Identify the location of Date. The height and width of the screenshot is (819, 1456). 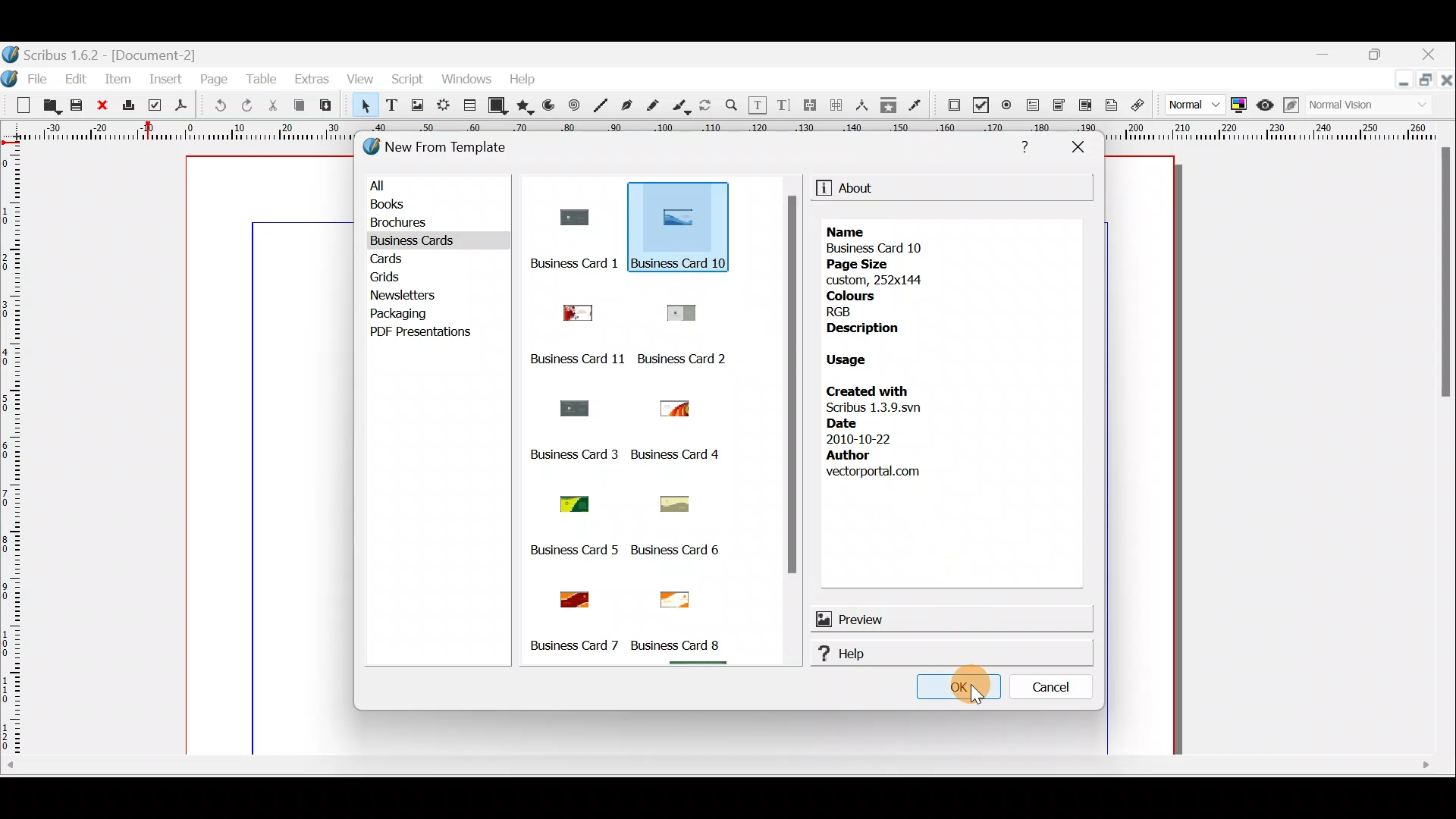
(844, 423).